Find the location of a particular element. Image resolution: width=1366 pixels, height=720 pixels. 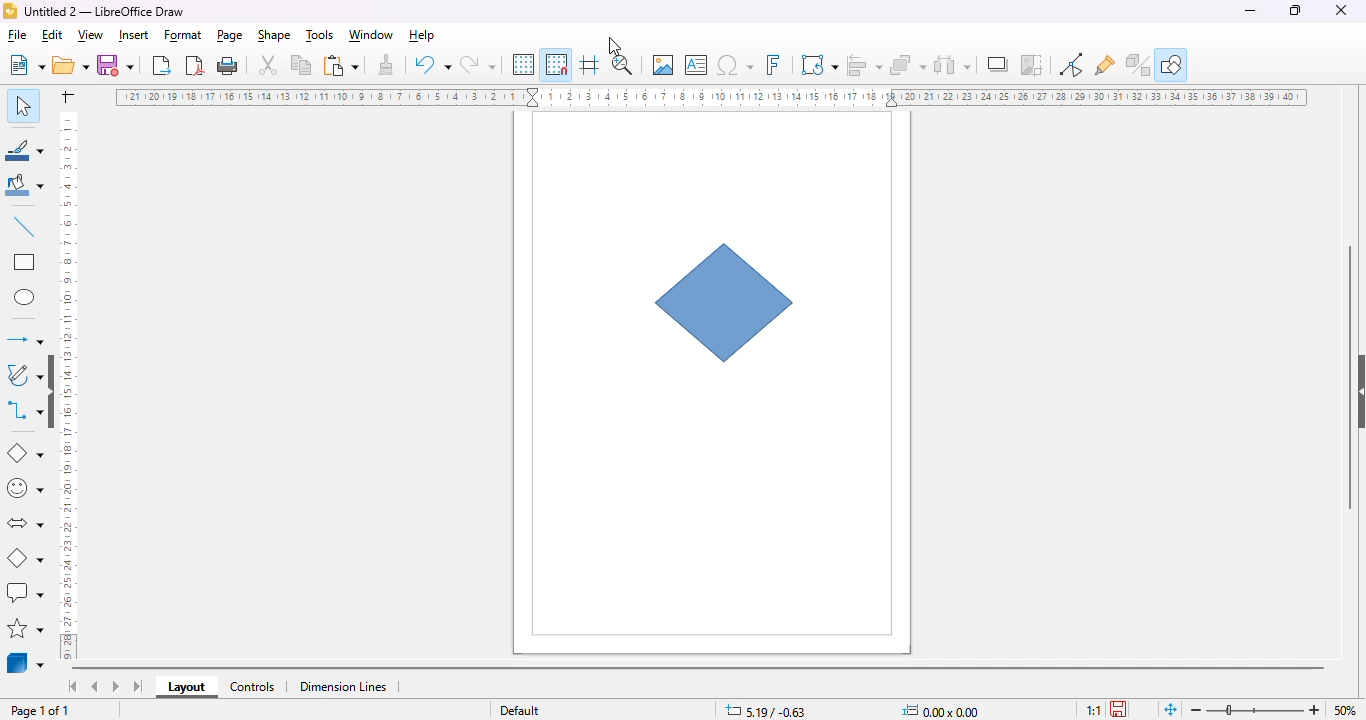

shadow is located at coordinates (998, 65).